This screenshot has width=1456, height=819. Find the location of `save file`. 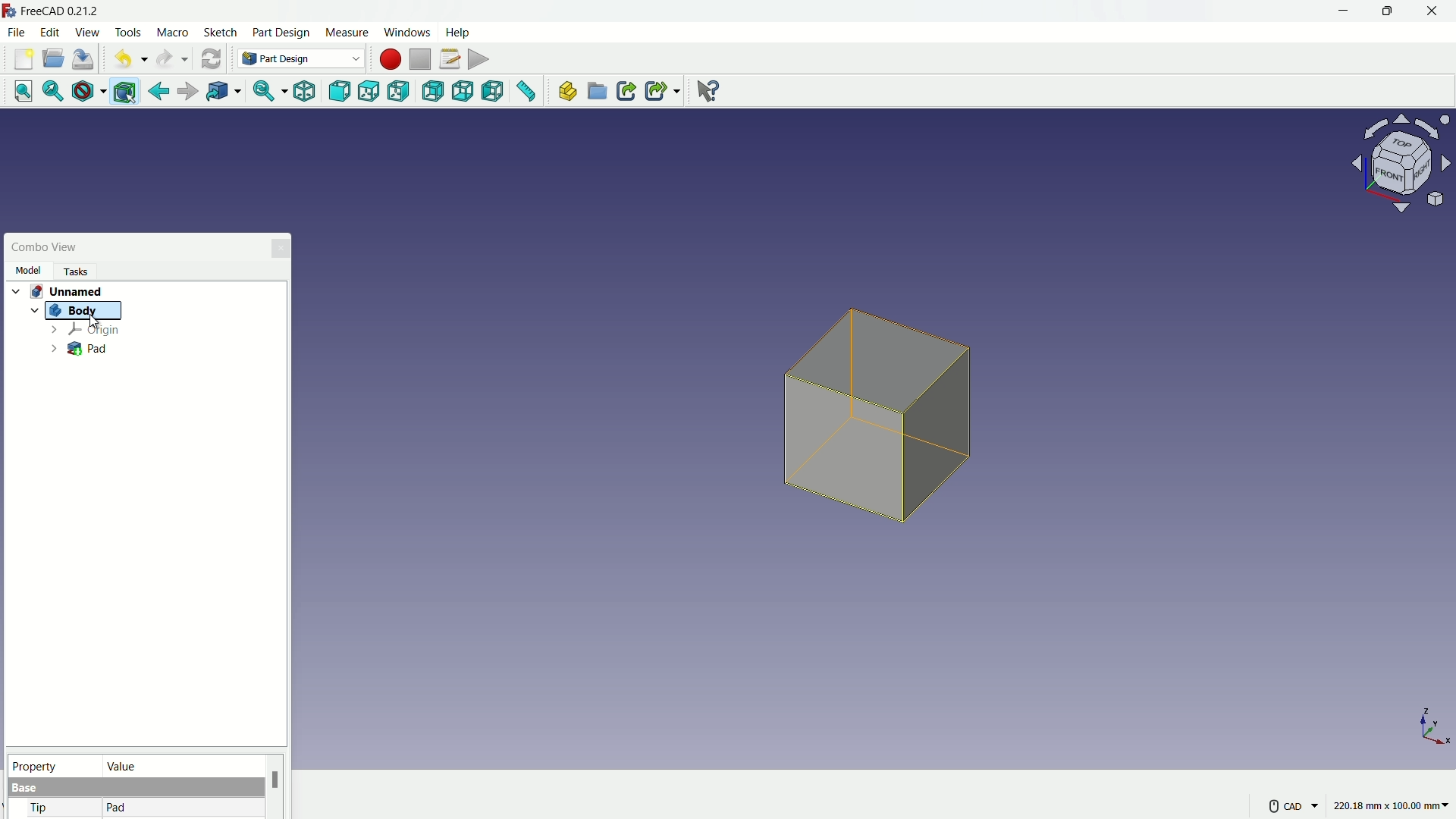

save file is located at coordinates (85, 60).